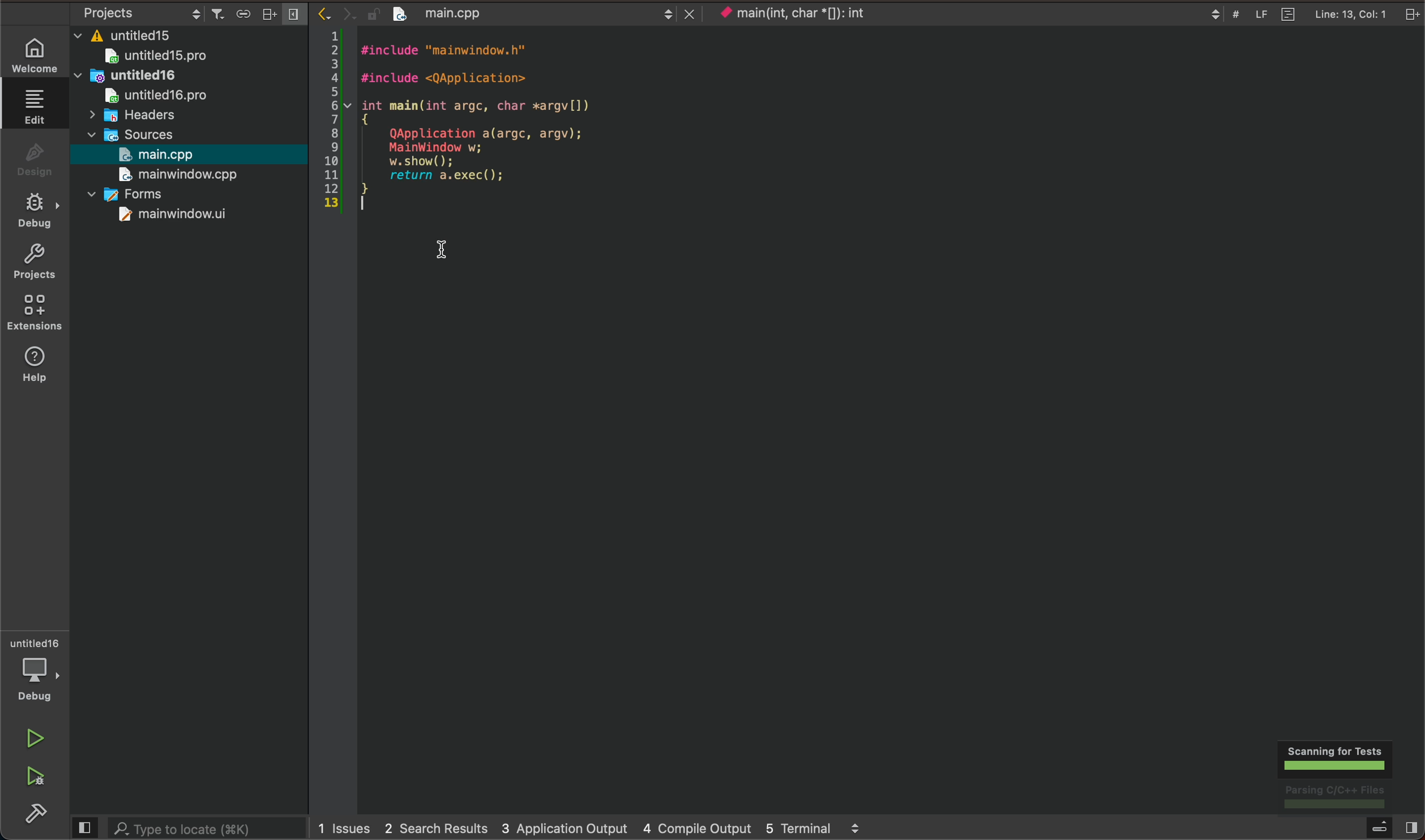  I want to click on file info, so click(1295, 15).